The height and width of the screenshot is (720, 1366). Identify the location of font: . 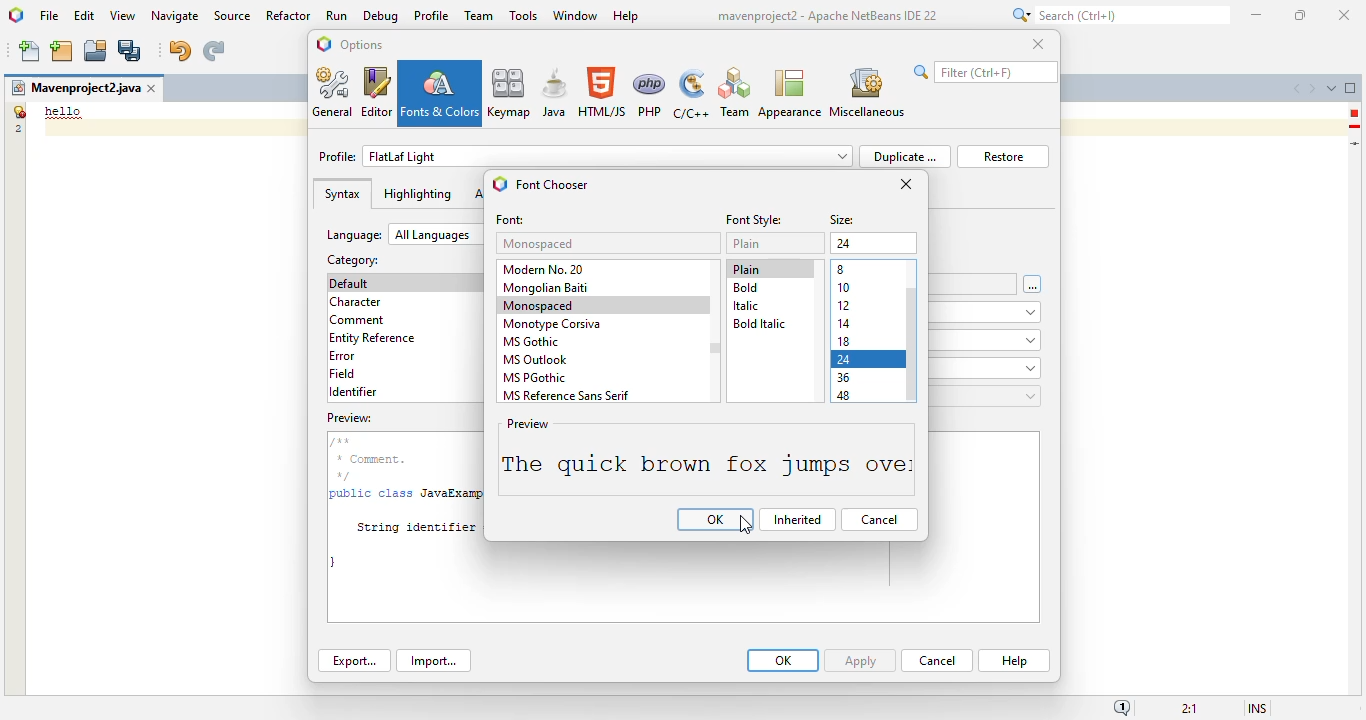
(511, 220).